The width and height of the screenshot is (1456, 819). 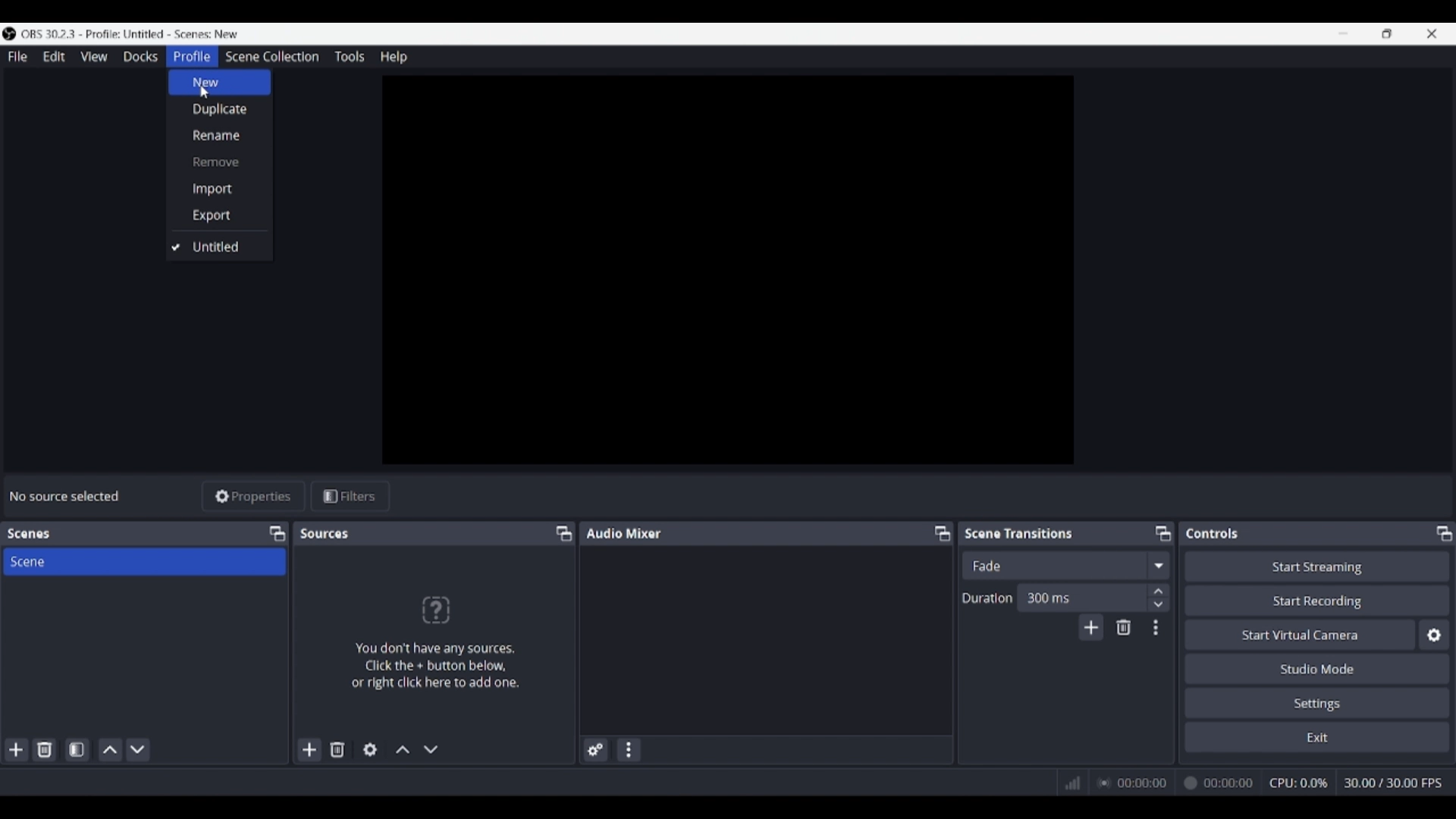 I want to click on Open scene filters, so click(x=77, y=749).